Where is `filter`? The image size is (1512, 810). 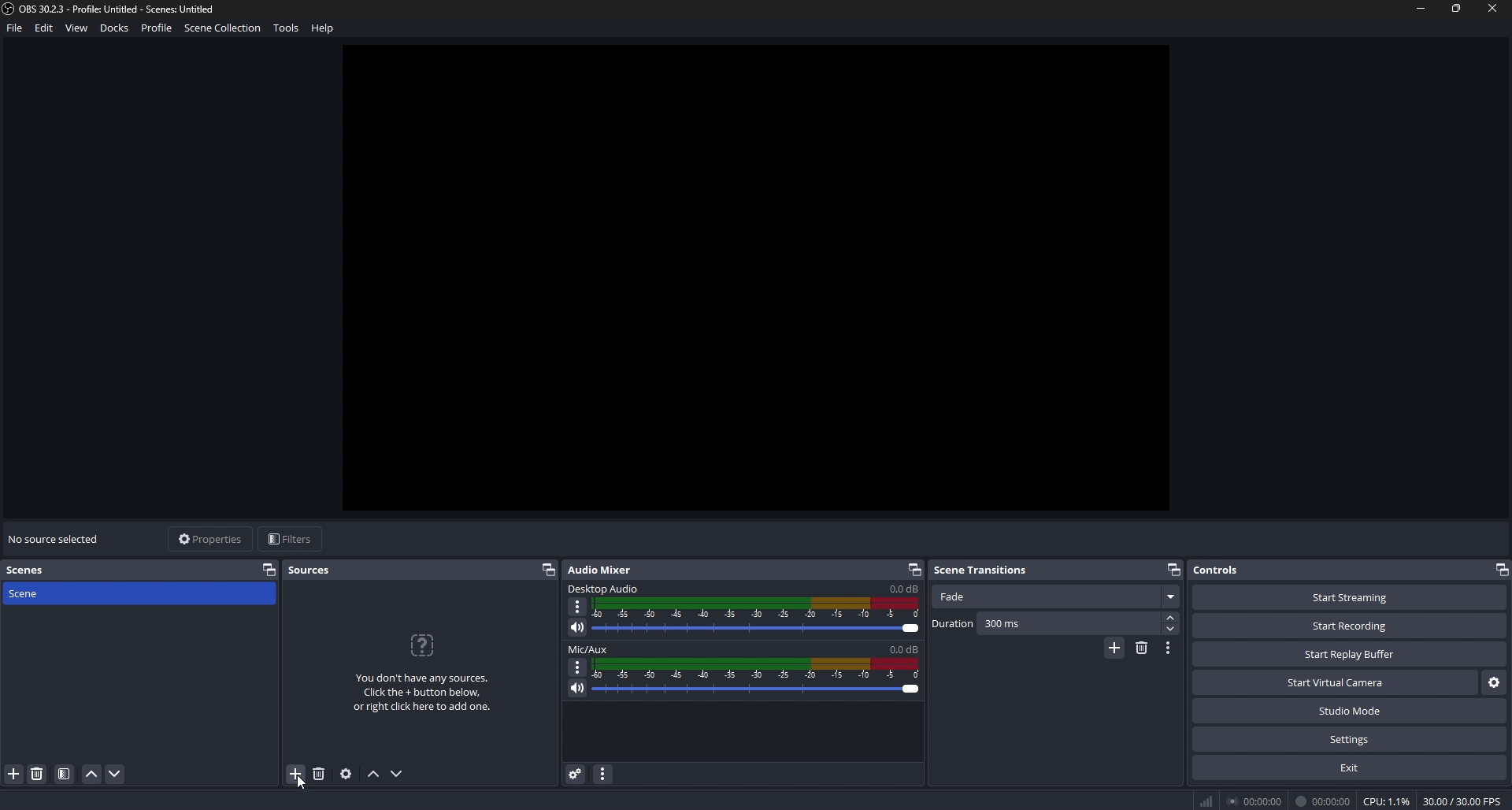
filter is located at coordinates (65, 775).